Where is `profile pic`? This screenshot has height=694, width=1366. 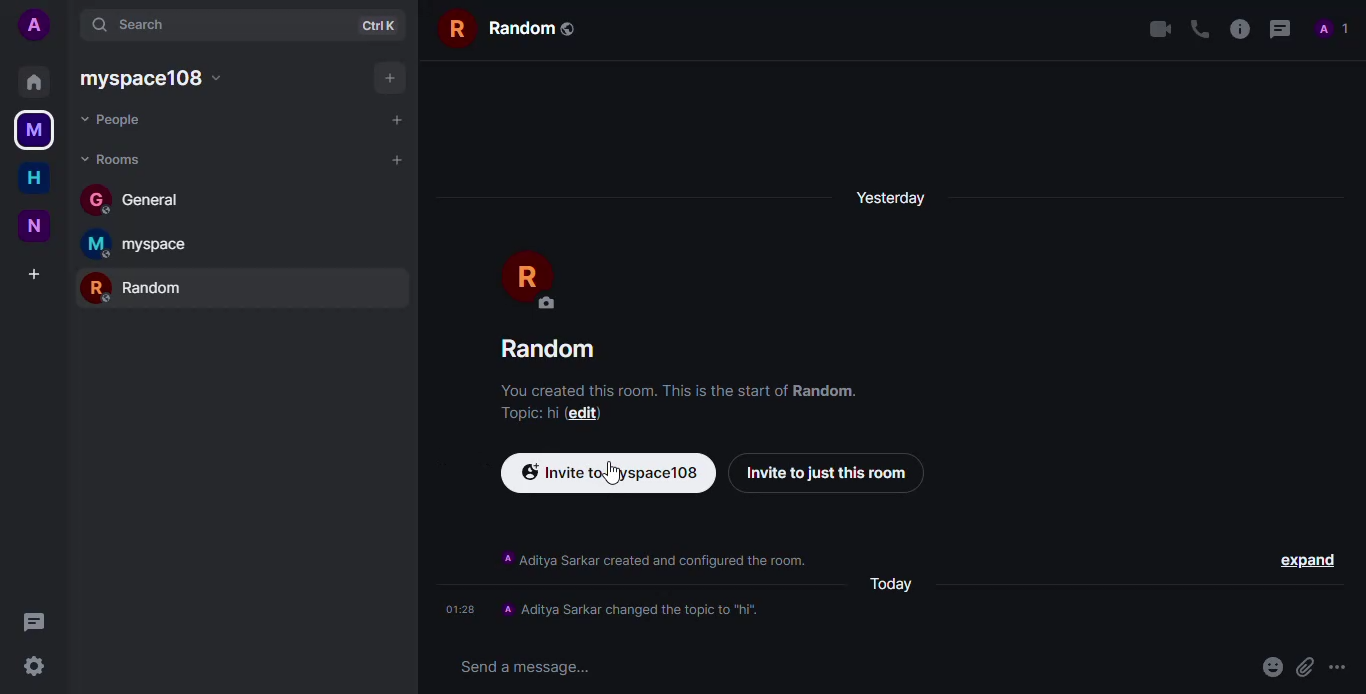
profile pic is located at coordinates (532, 279).